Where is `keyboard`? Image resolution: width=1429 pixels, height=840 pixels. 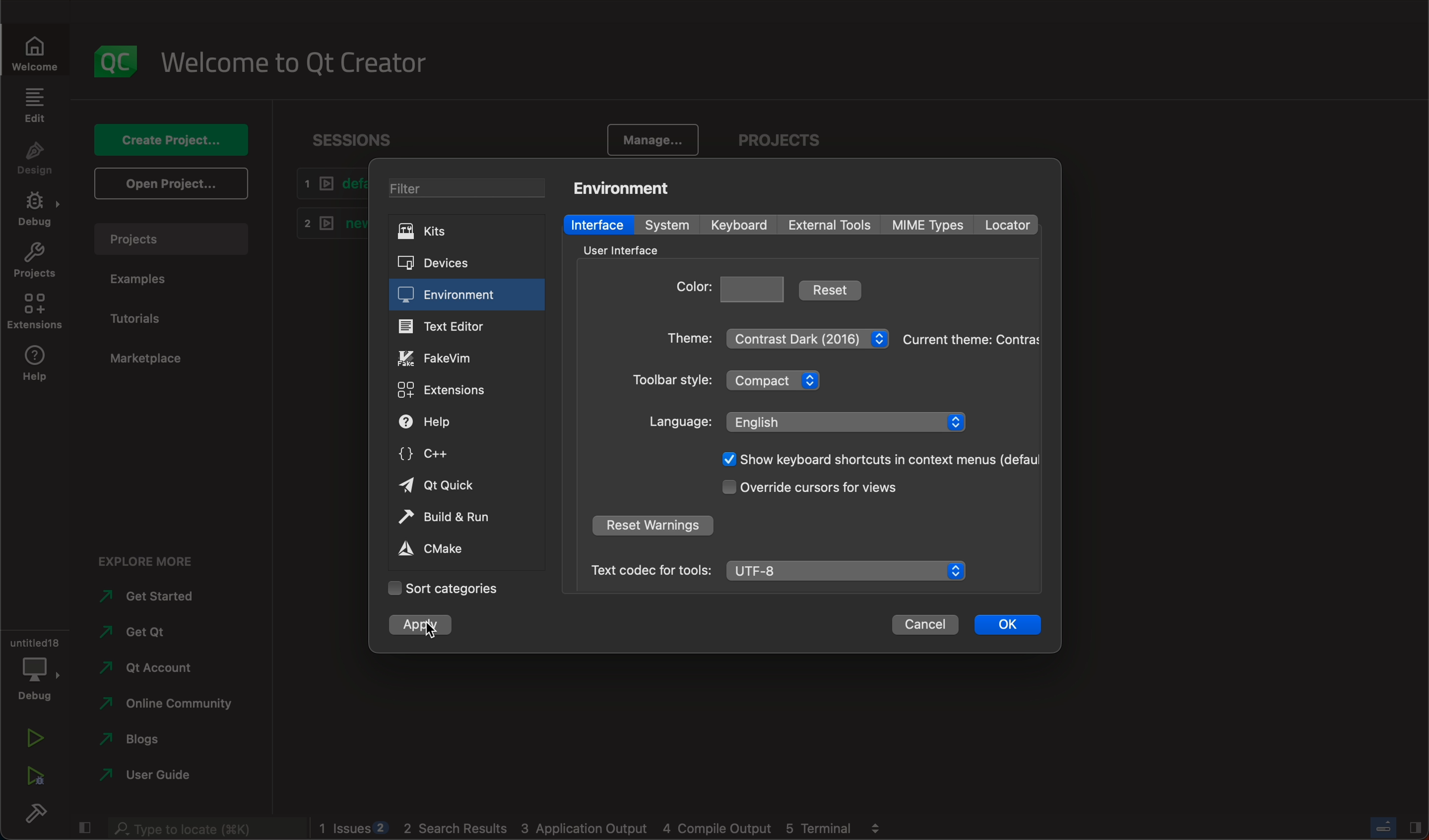
keyboard is located at coordinates (740, 226).